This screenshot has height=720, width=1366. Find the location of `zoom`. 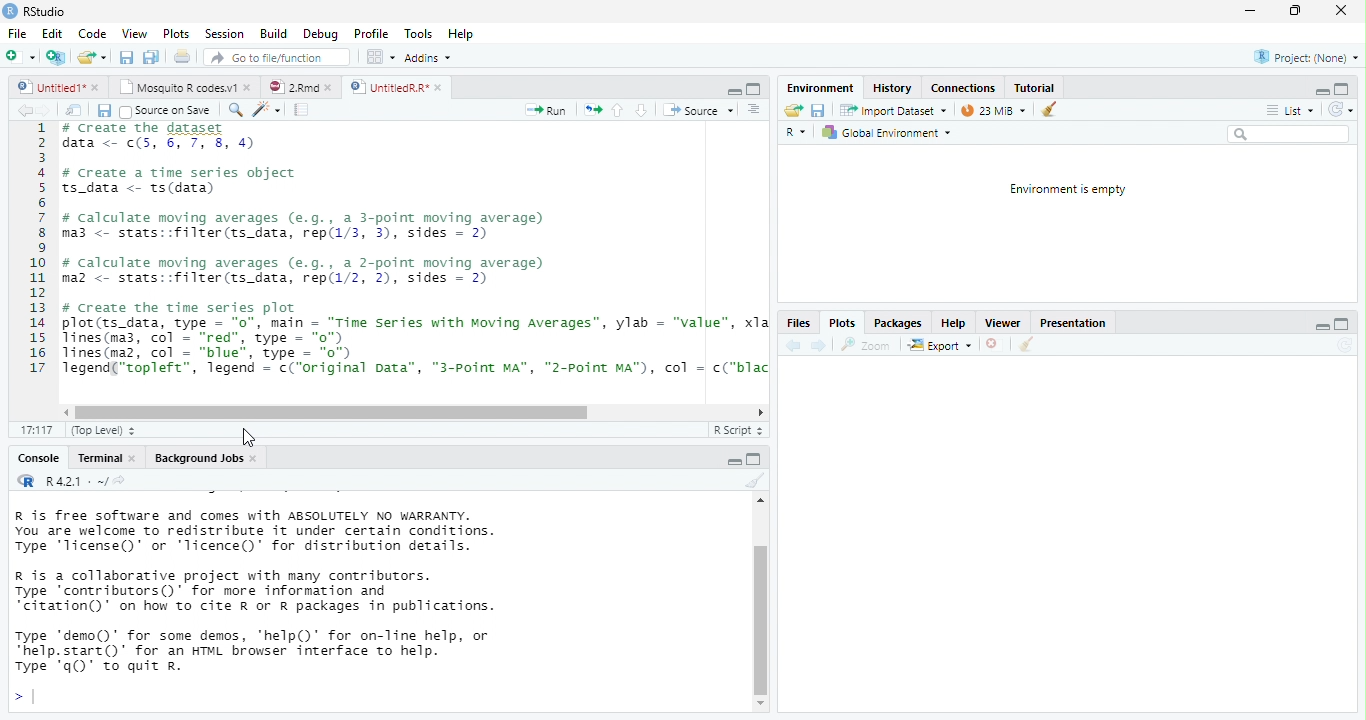

zoom is located at coordinates (869, 345).